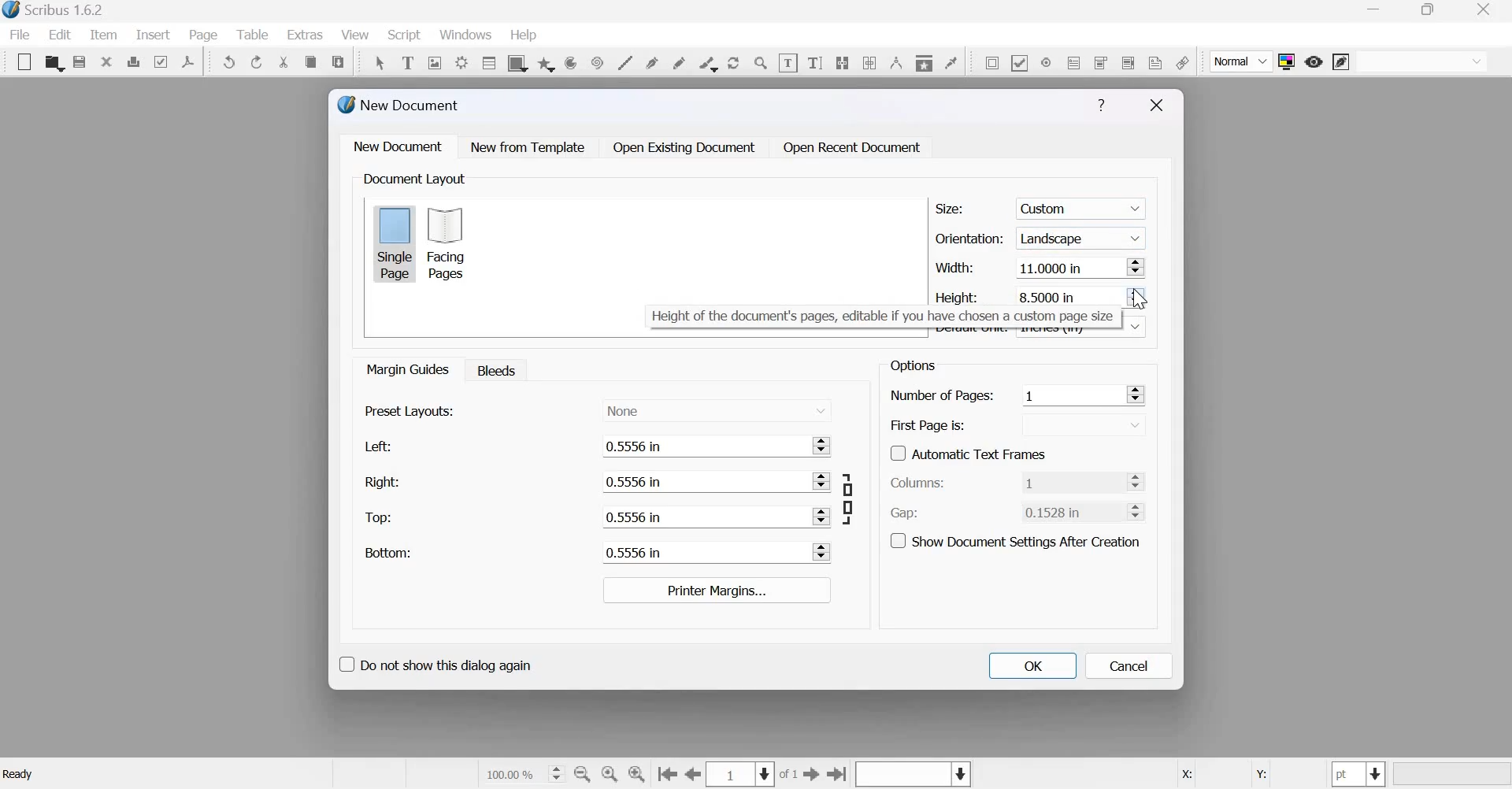 Image resolution: width=1512 pixels, height=789 pixels. I want to click on windows, so click(465, 36).